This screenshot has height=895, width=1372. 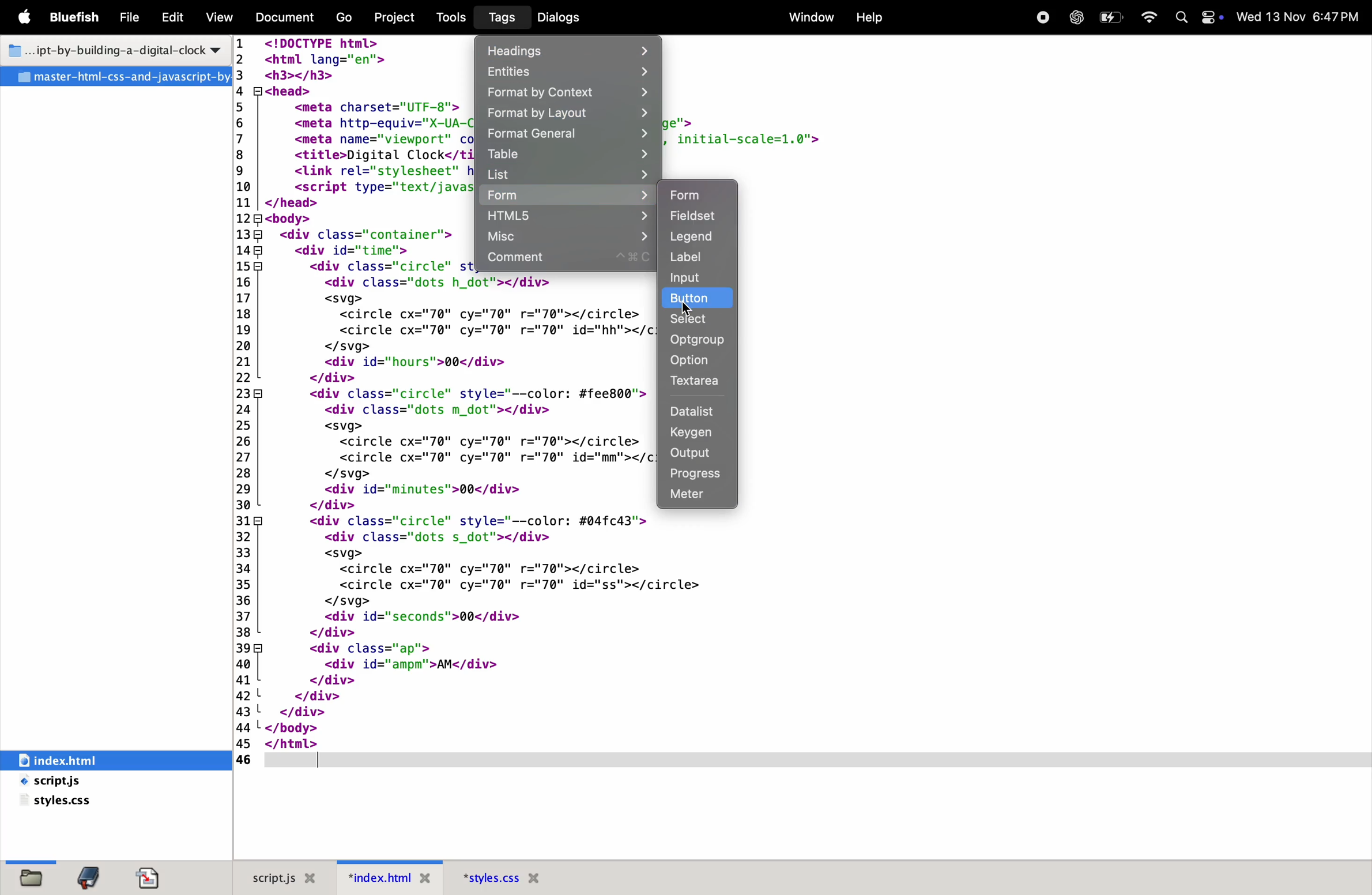 What do you see at coordinates (27, 17) in the screenshot?
I see `Apple menu` at bounding box center [27, 17].